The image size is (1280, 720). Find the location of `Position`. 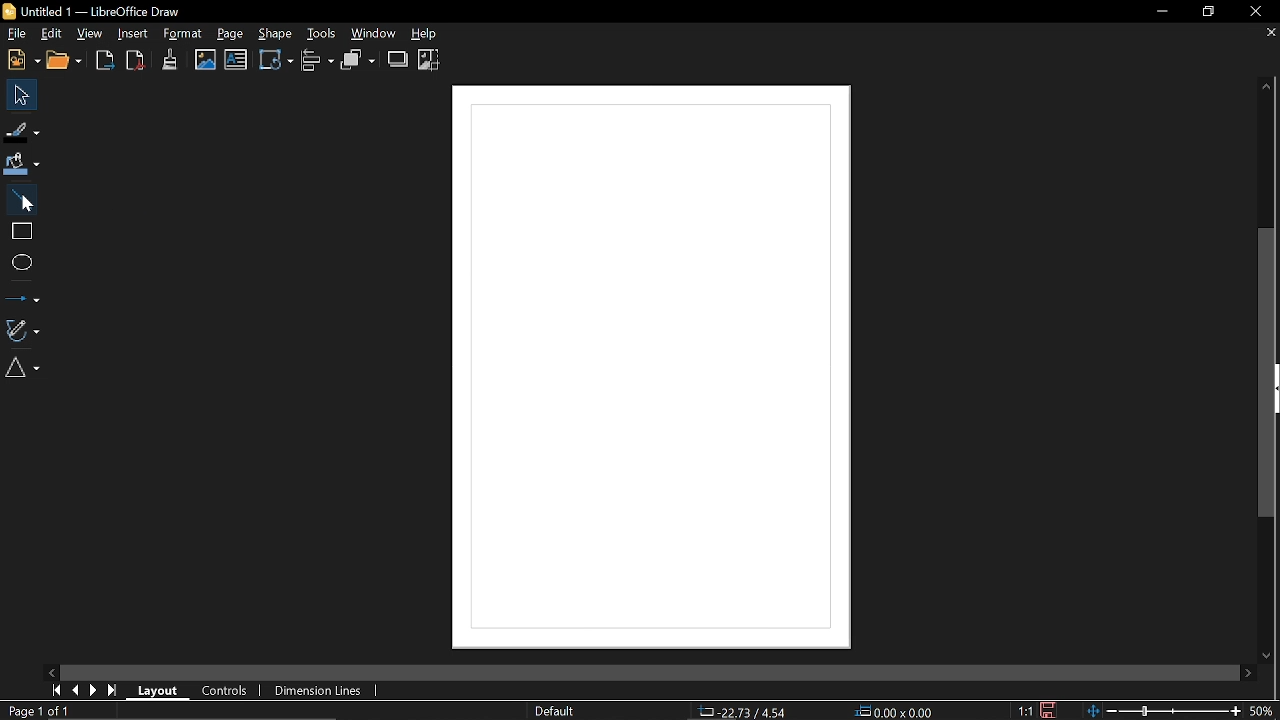

Position is located at coordinates (742, 711).